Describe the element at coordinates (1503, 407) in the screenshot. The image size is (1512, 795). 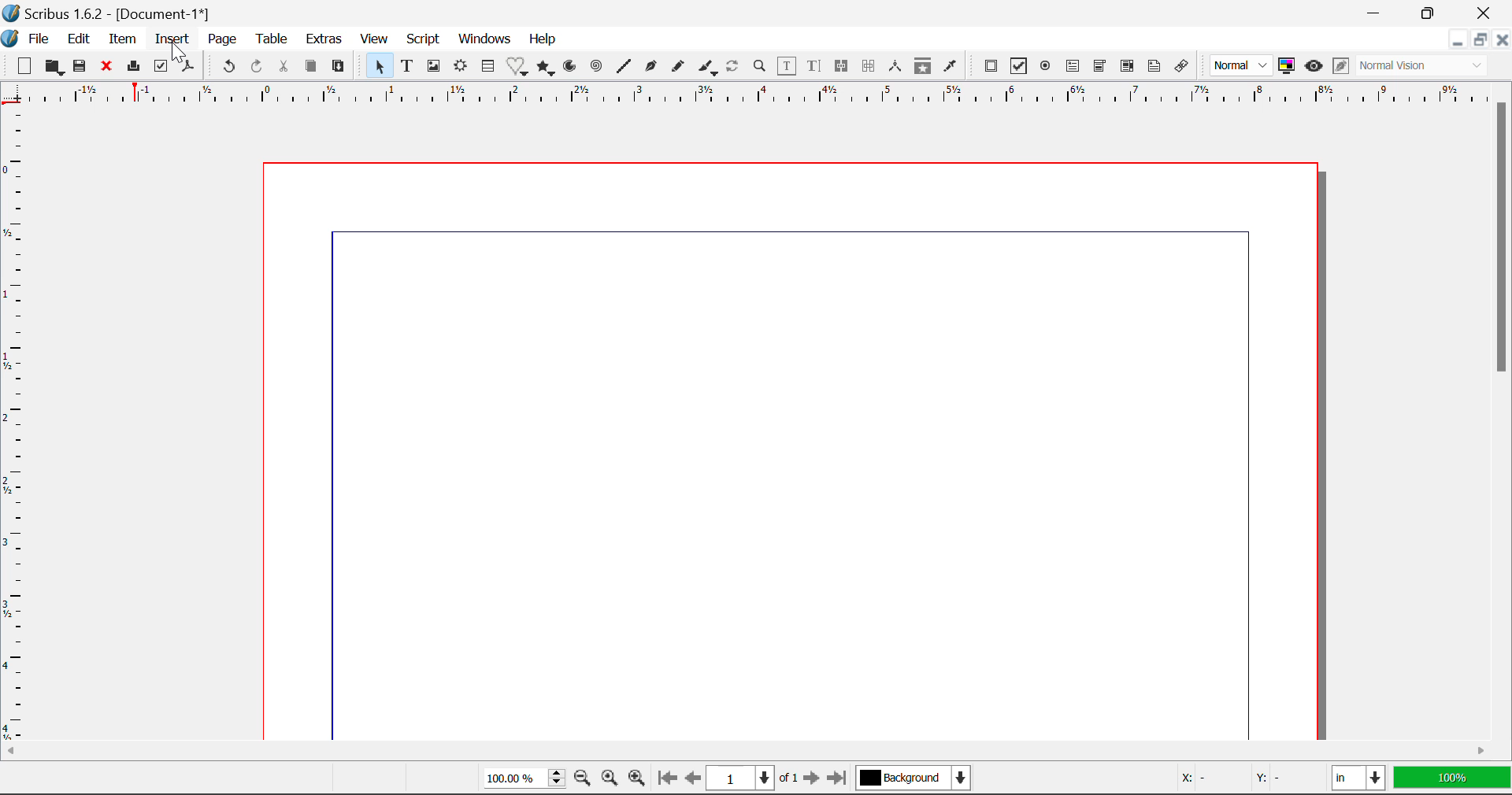
I see `Scroll Bar` at that location.